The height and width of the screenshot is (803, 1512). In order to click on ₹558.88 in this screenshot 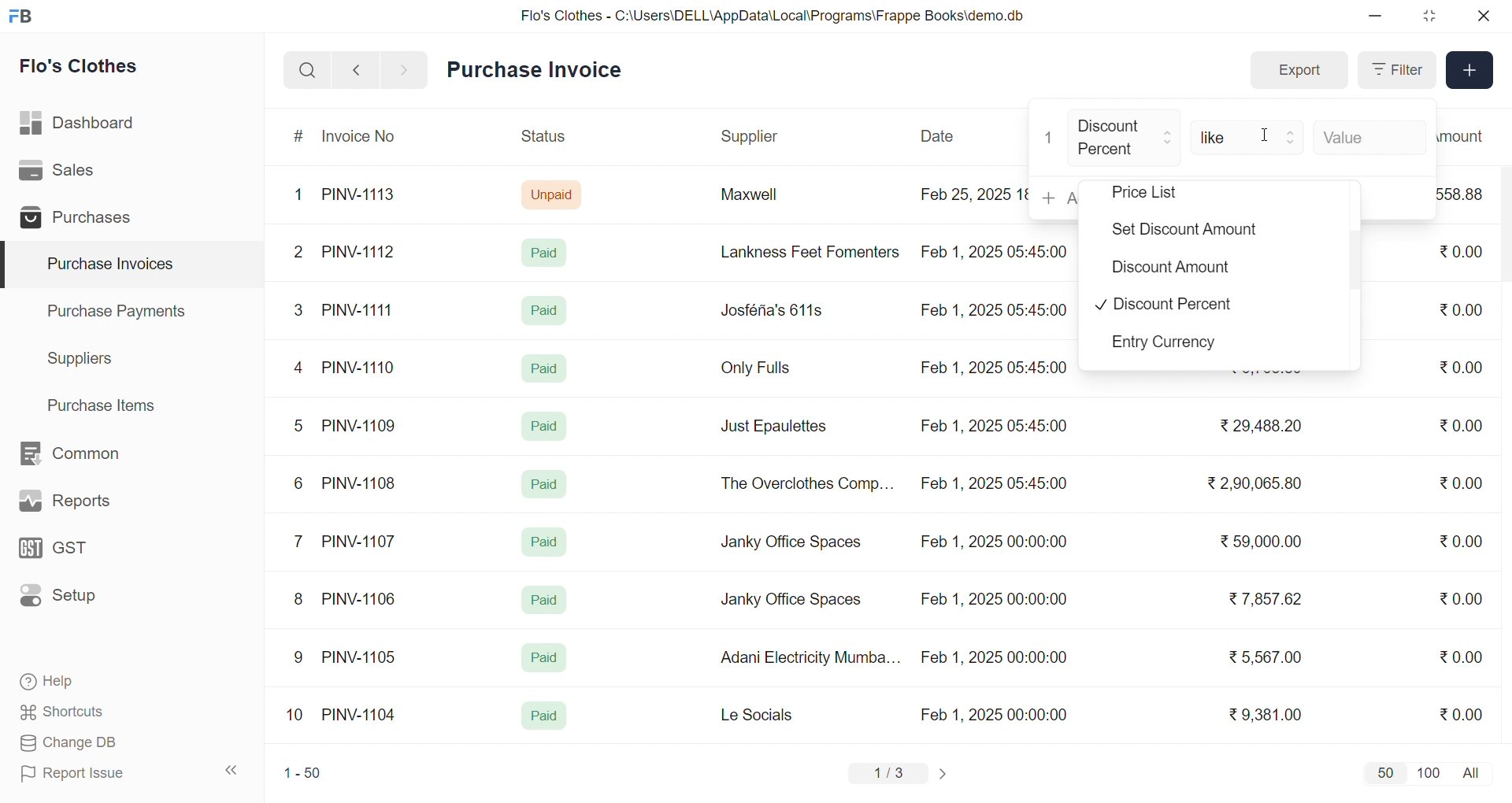, I will do `click(1466, 194)`.